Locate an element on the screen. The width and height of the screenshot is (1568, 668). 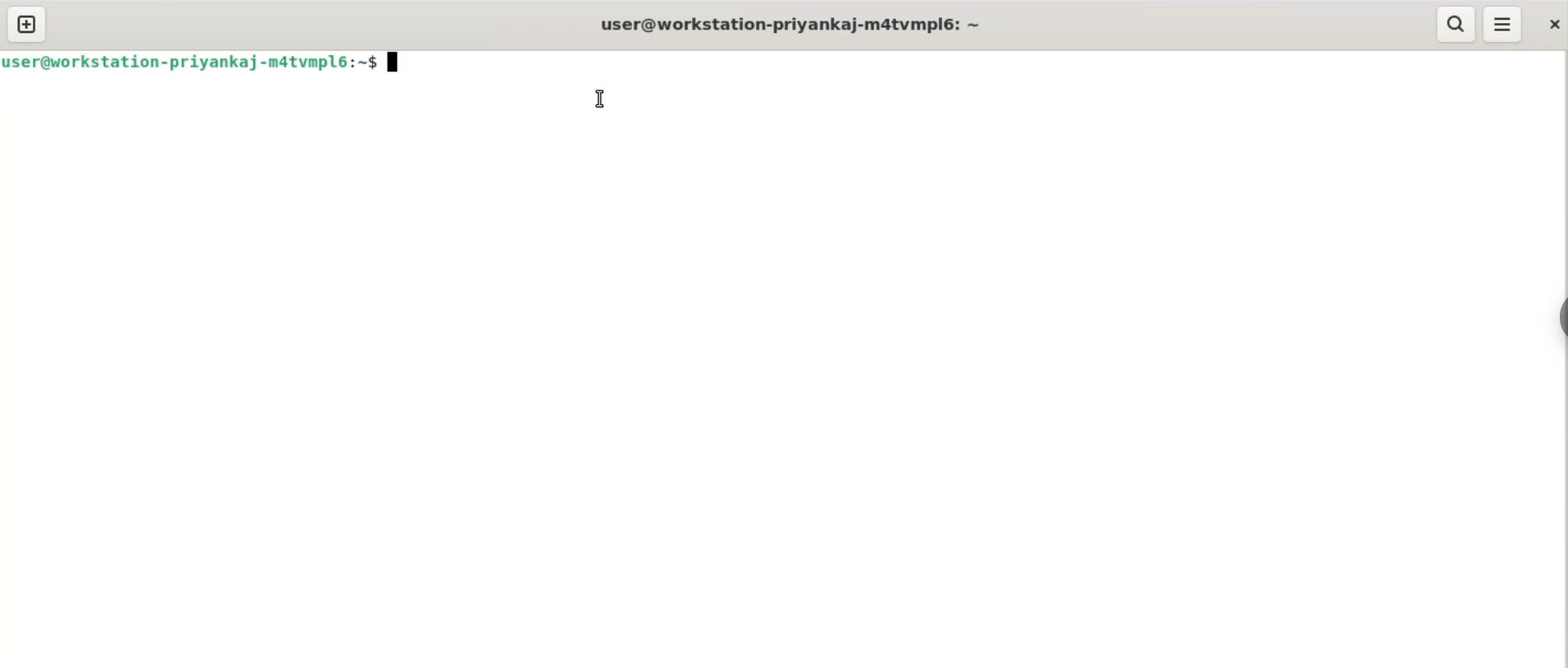
user@workstation-priyankaj-m4tvmpl6: ~$ is located at coordinates (201, 61).